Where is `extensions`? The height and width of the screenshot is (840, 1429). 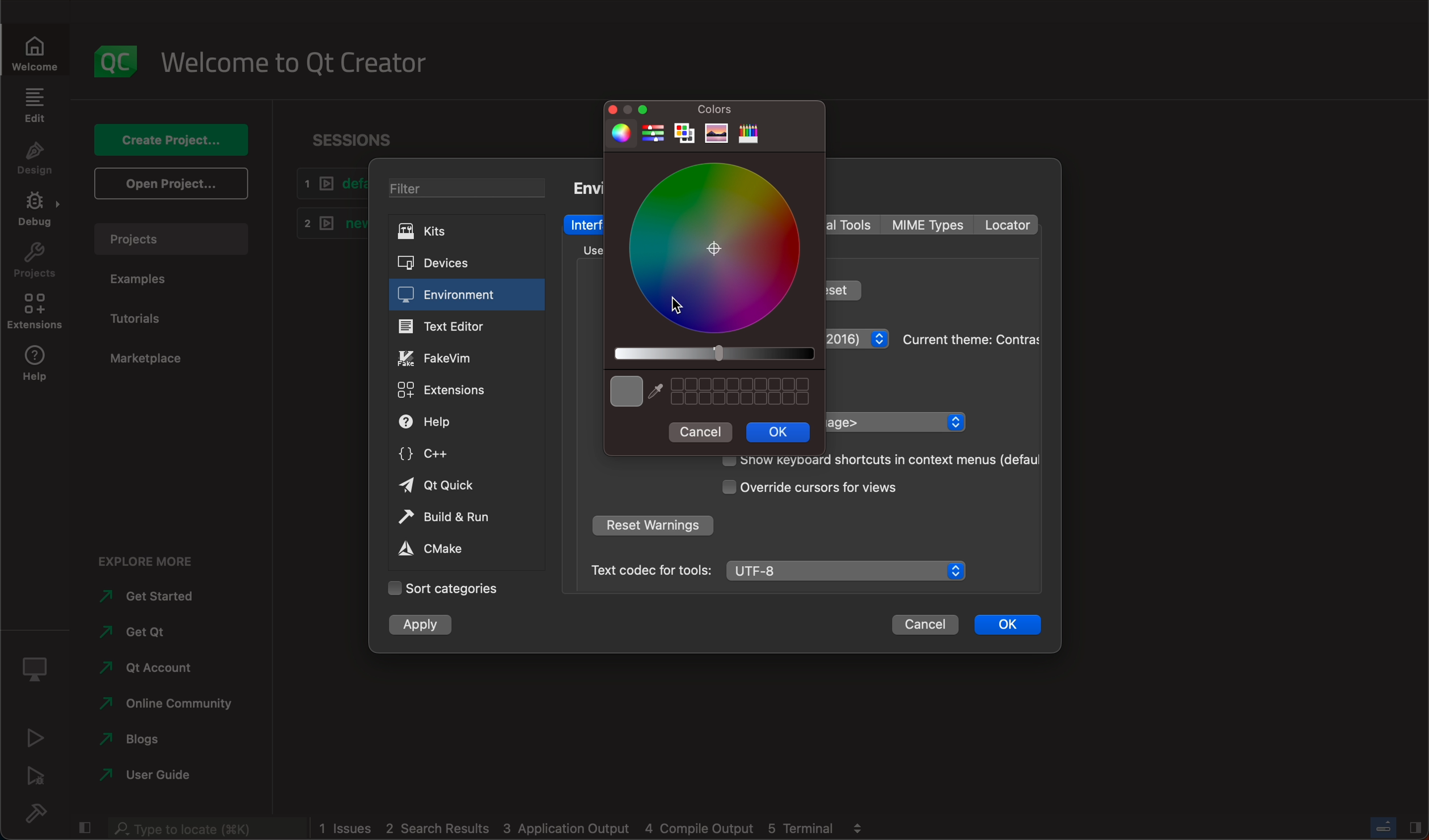
extensions is located at coordinates (457, 391).